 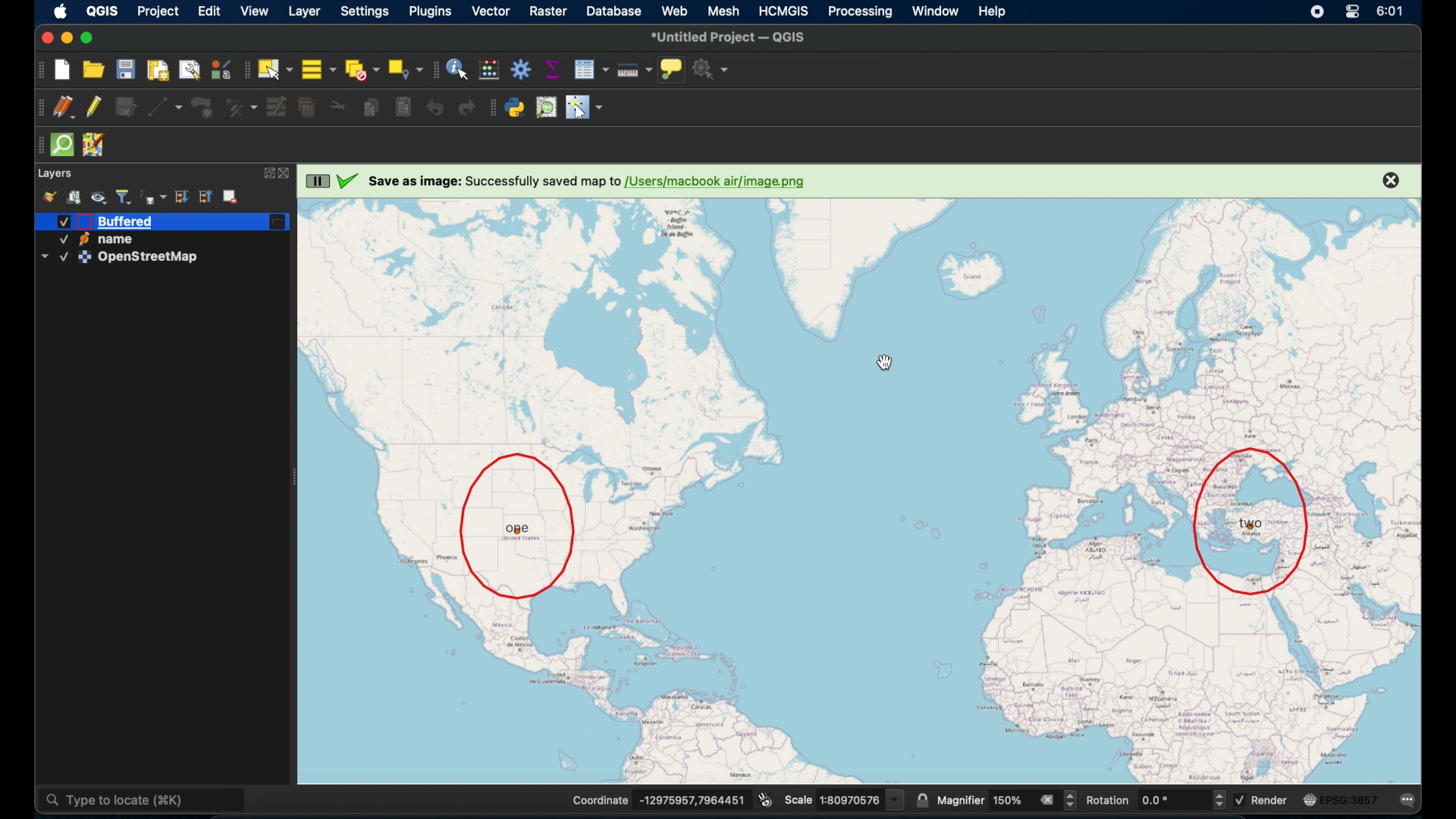 I want to click on toggle extents and position mouse display, so click(x=764, y=797).